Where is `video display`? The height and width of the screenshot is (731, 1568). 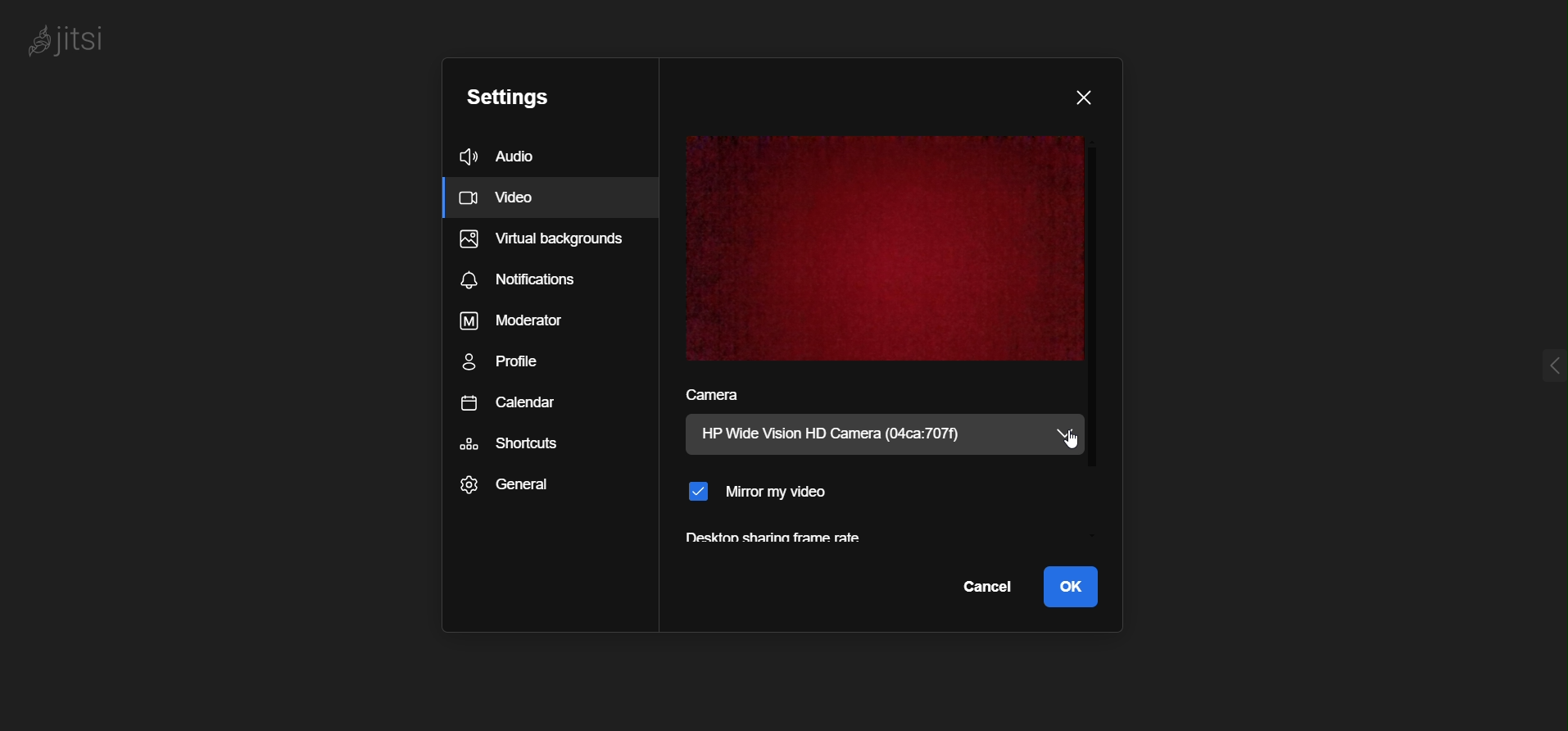 video display is located at coordinates (883, 249).